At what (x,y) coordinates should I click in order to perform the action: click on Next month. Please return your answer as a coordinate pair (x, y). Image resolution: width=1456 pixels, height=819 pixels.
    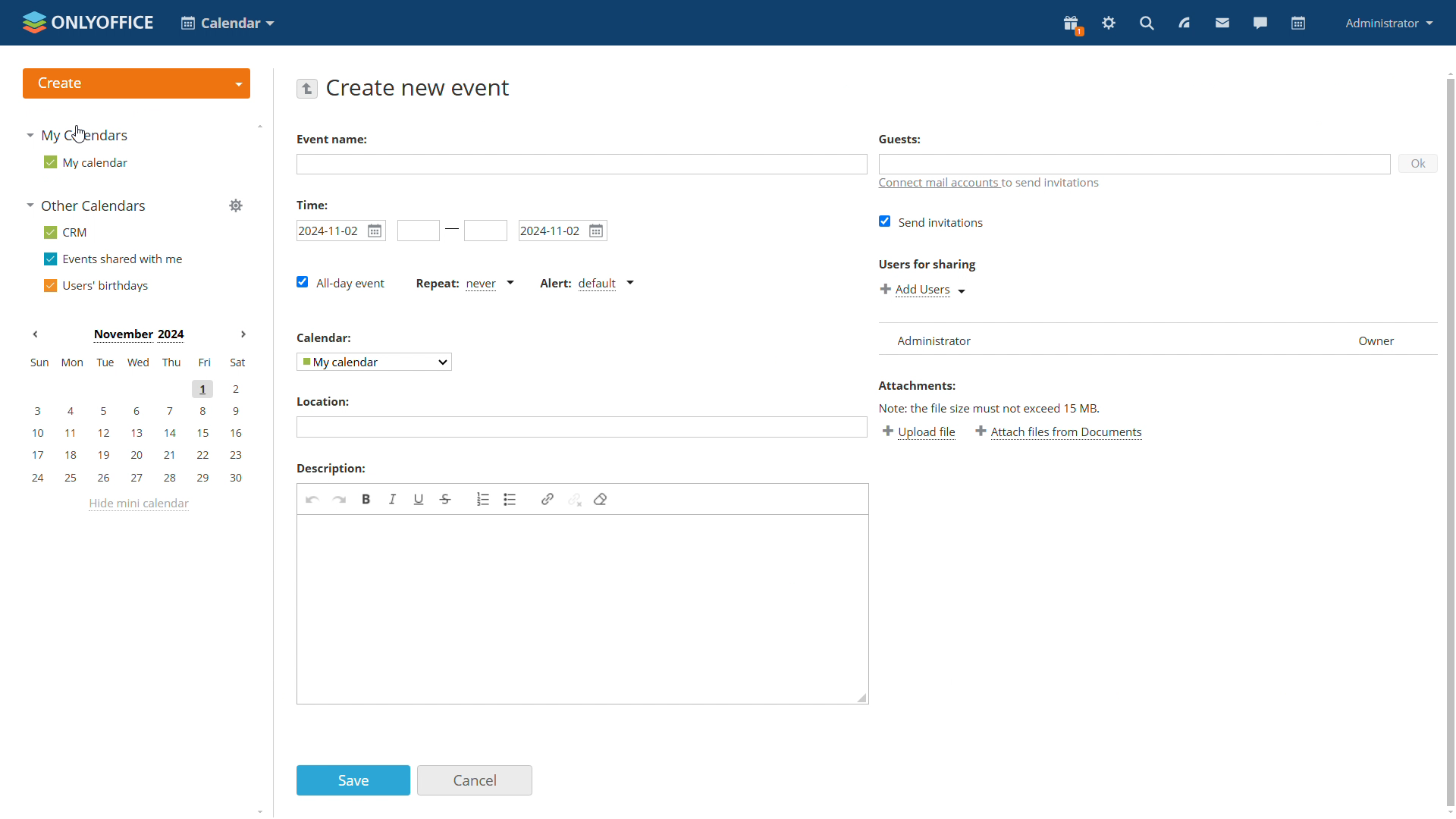
    Looking at the image, I should click on (238, 334).